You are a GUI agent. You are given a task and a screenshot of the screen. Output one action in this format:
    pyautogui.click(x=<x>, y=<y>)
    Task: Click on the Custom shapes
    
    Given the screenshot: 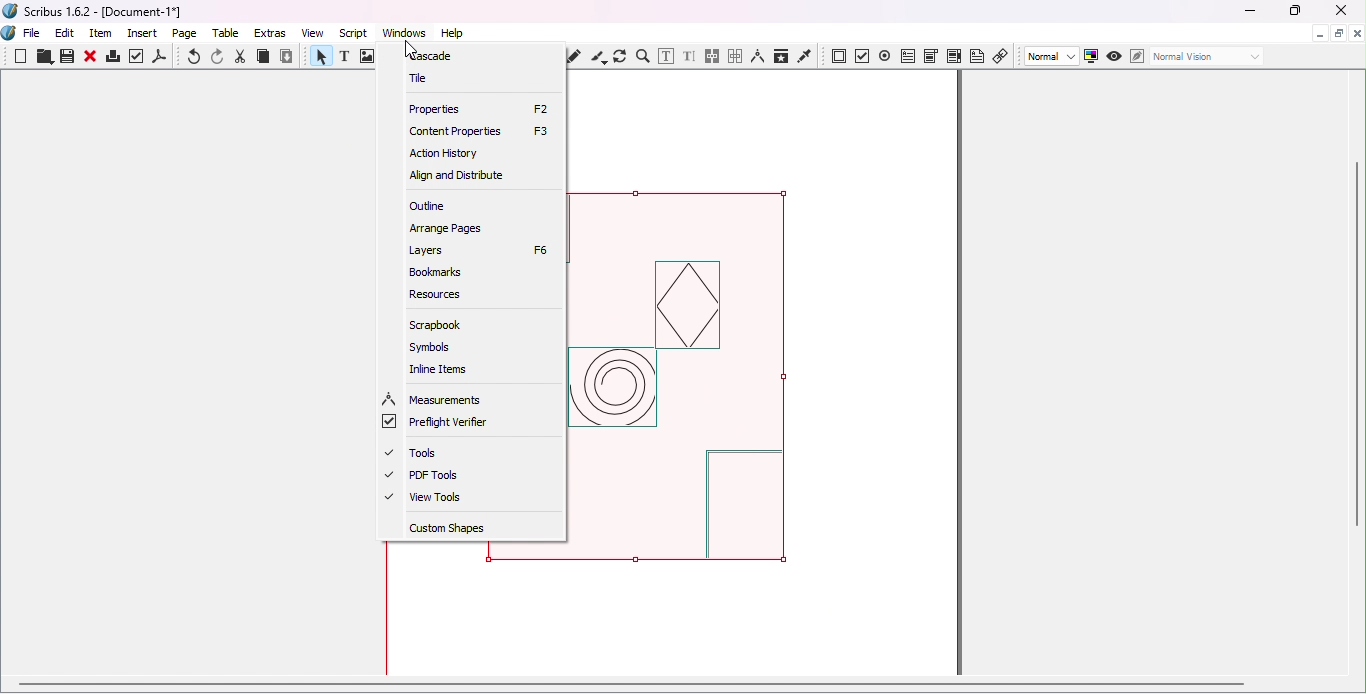 What is the action you would take?
    pyautogui.click(x=466, y=531)
    